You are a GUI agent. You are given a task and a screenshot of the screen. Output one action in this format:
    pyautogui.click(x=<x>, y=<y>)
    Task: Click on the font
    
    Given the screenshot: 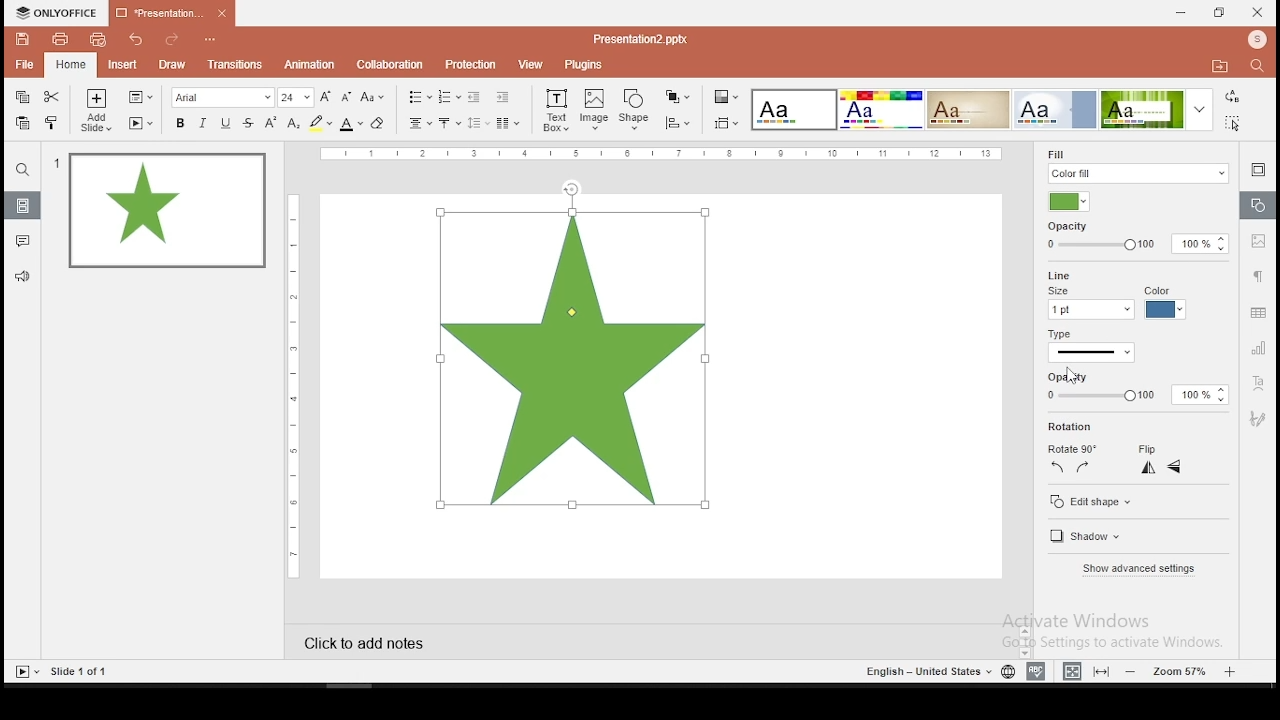 What is the action you would take?
    pyautogui.click(x=222, y=97)
    